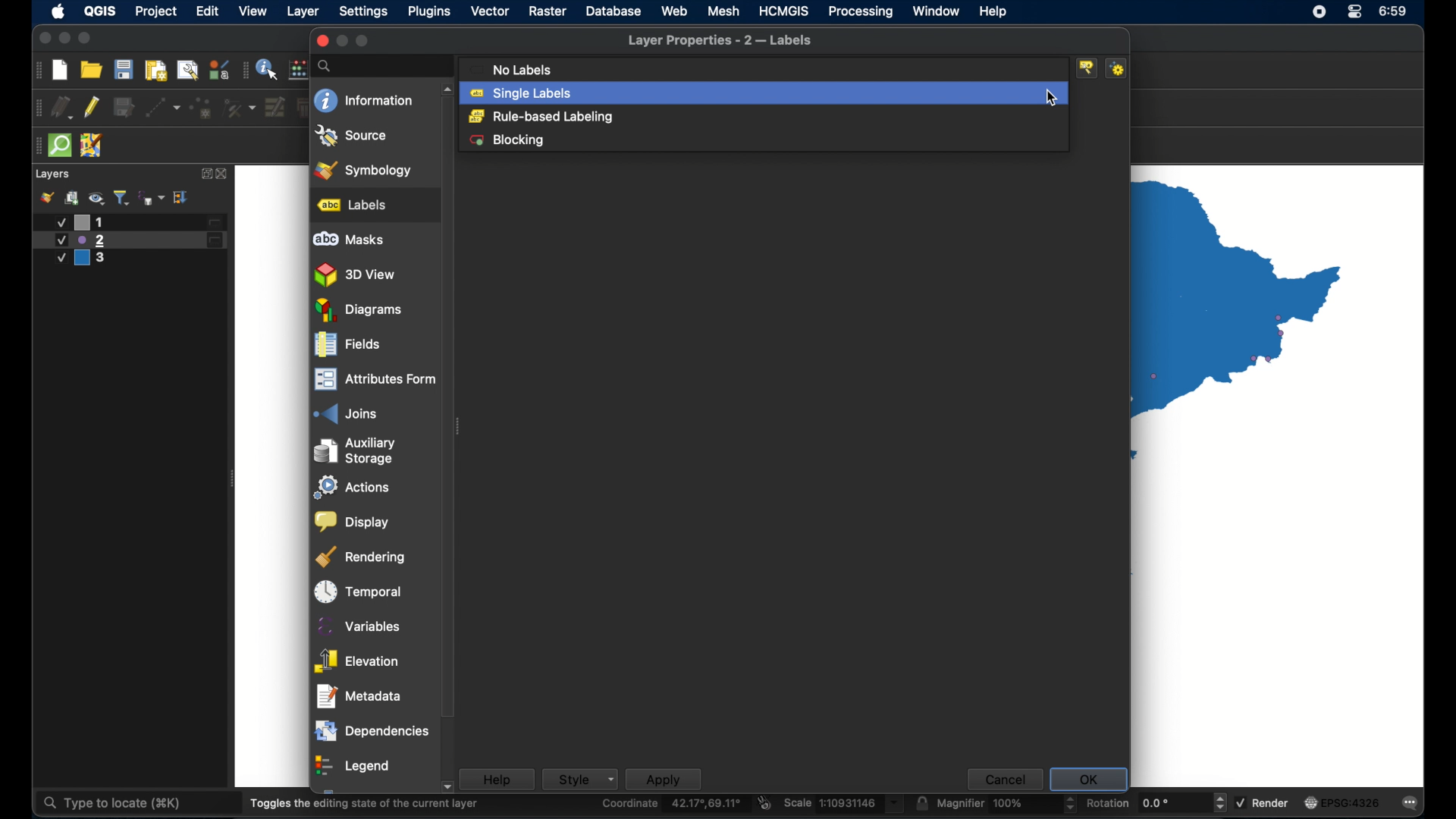 The height and width of the screenshot is (819, 1456). I want to click on vertex tool, so click(240, 108).